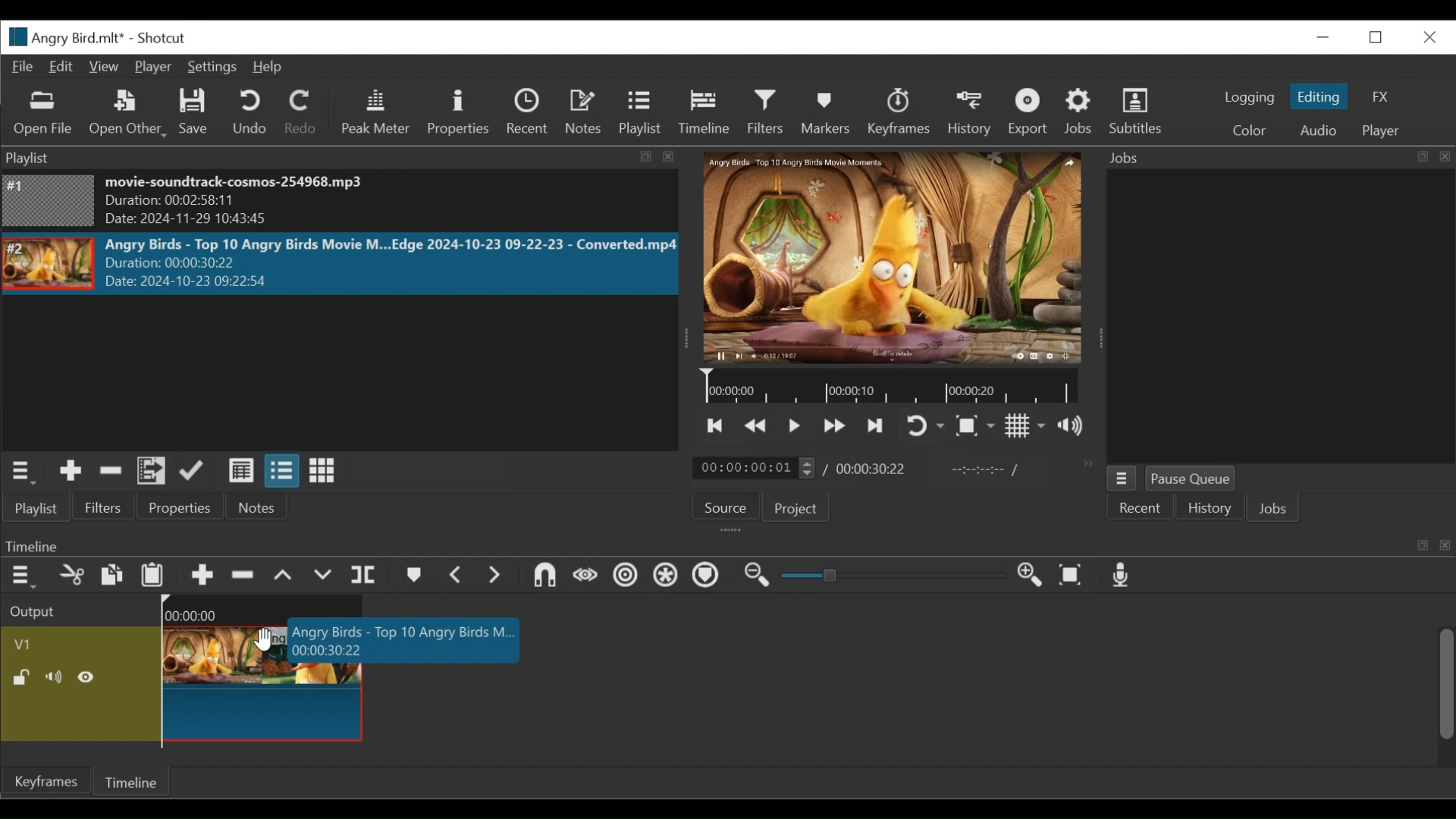  I want to click on Add files to the playlist, so click(152, 472).